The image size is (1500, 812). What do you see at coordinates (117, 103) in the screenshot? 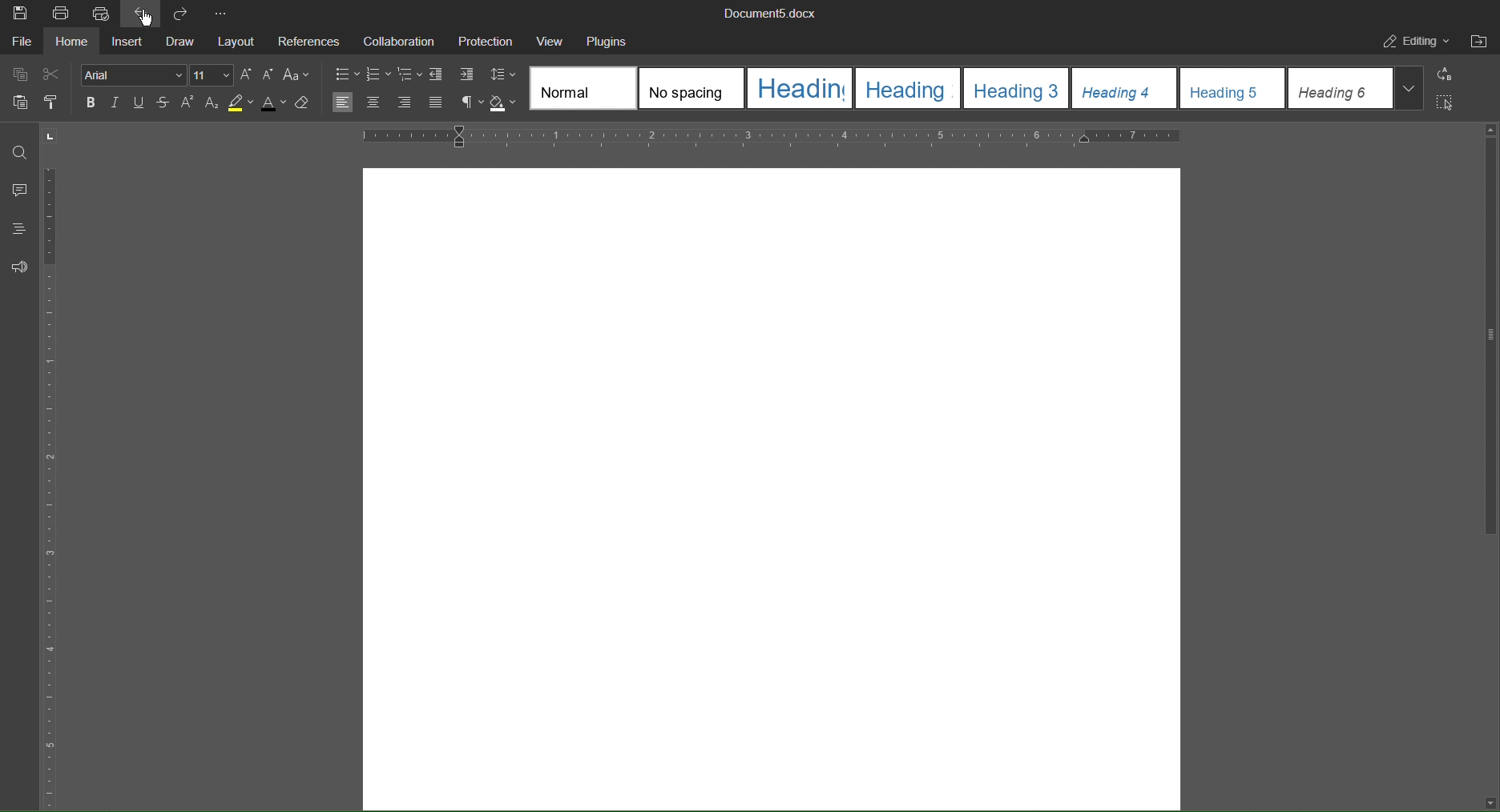
I see `Italic` at bounding box center [117, 103].